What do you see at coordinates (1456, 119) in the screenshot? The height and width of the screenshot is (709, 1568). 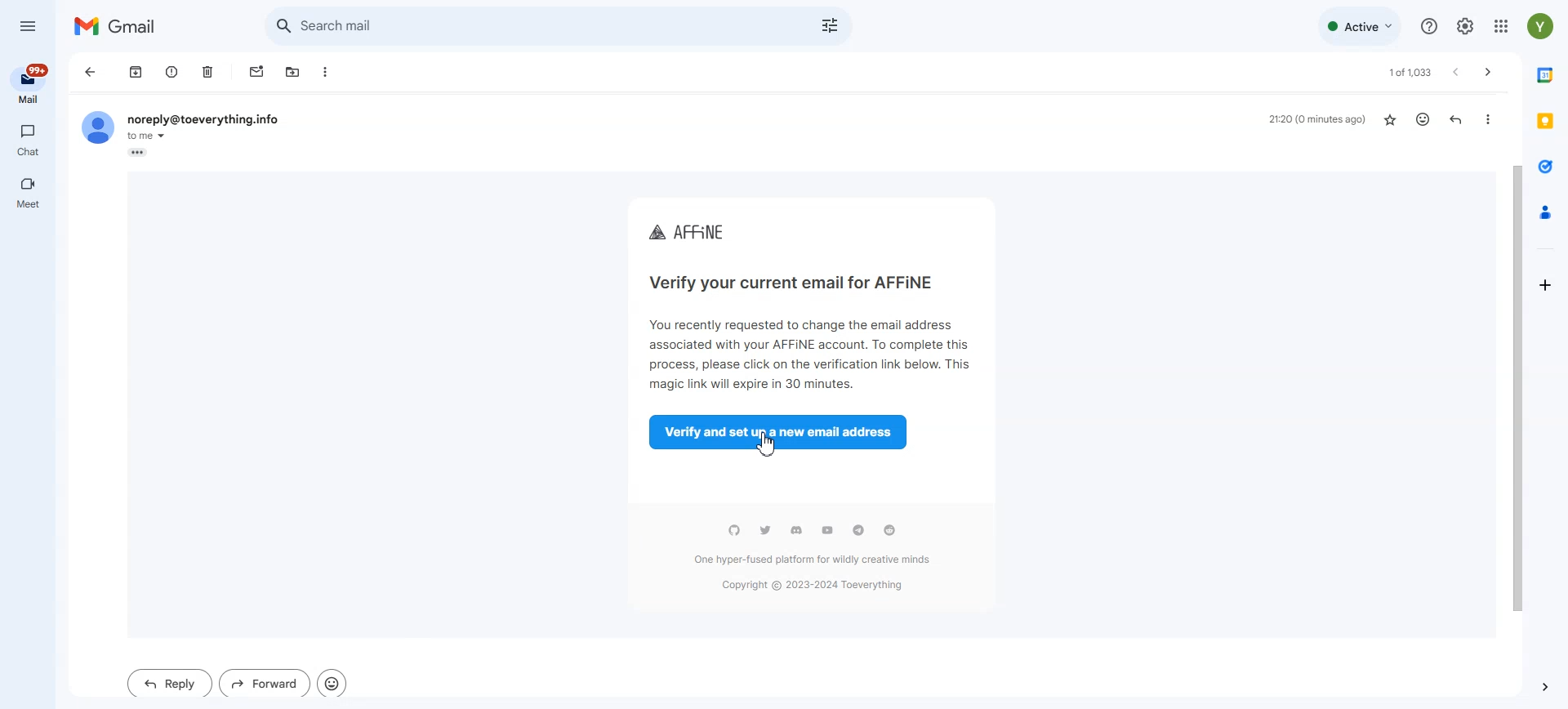 I see `Reply` at bounding box center [1456, 119].